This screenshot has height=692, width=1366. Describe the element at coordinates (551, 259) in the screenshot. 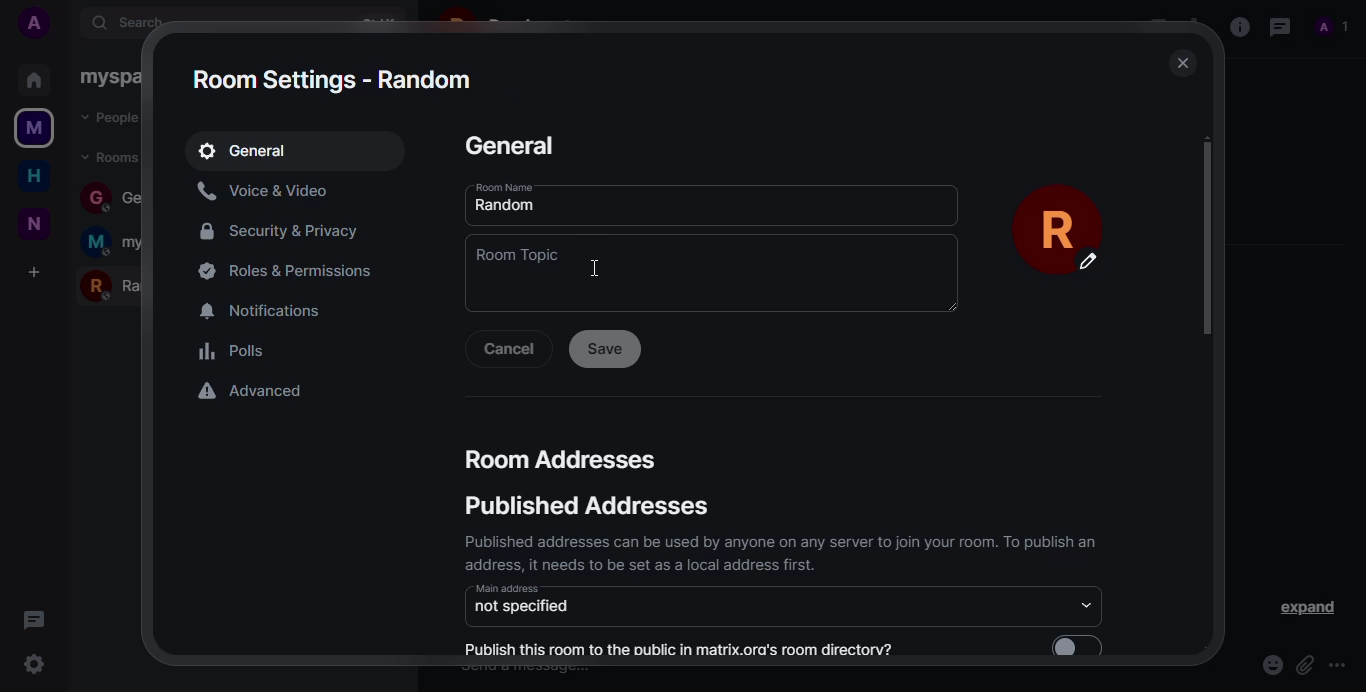

I see `room topic` at that location.